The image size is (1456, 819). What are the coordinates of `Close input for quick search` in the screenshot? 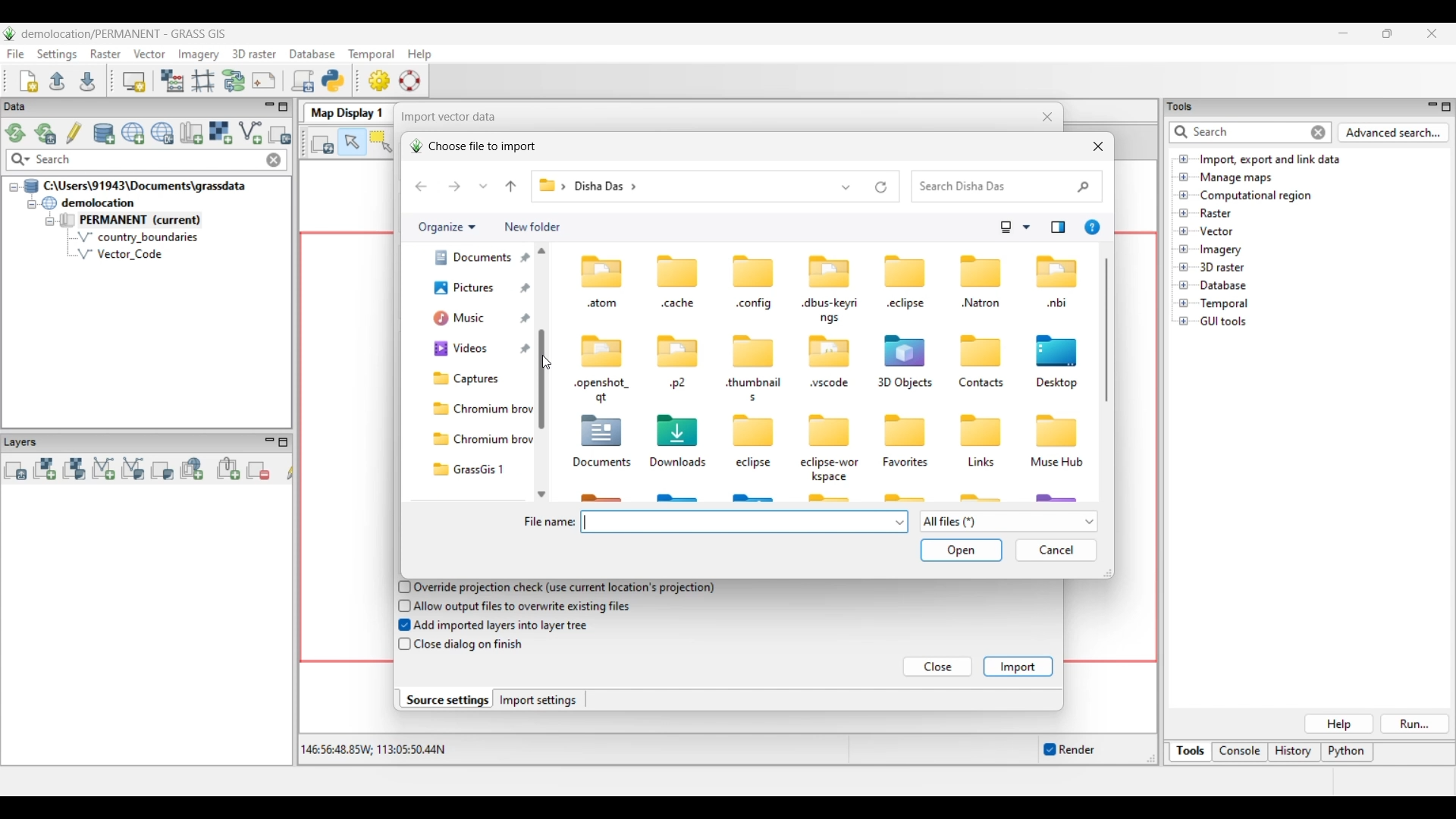 It's located at (1319, 133).